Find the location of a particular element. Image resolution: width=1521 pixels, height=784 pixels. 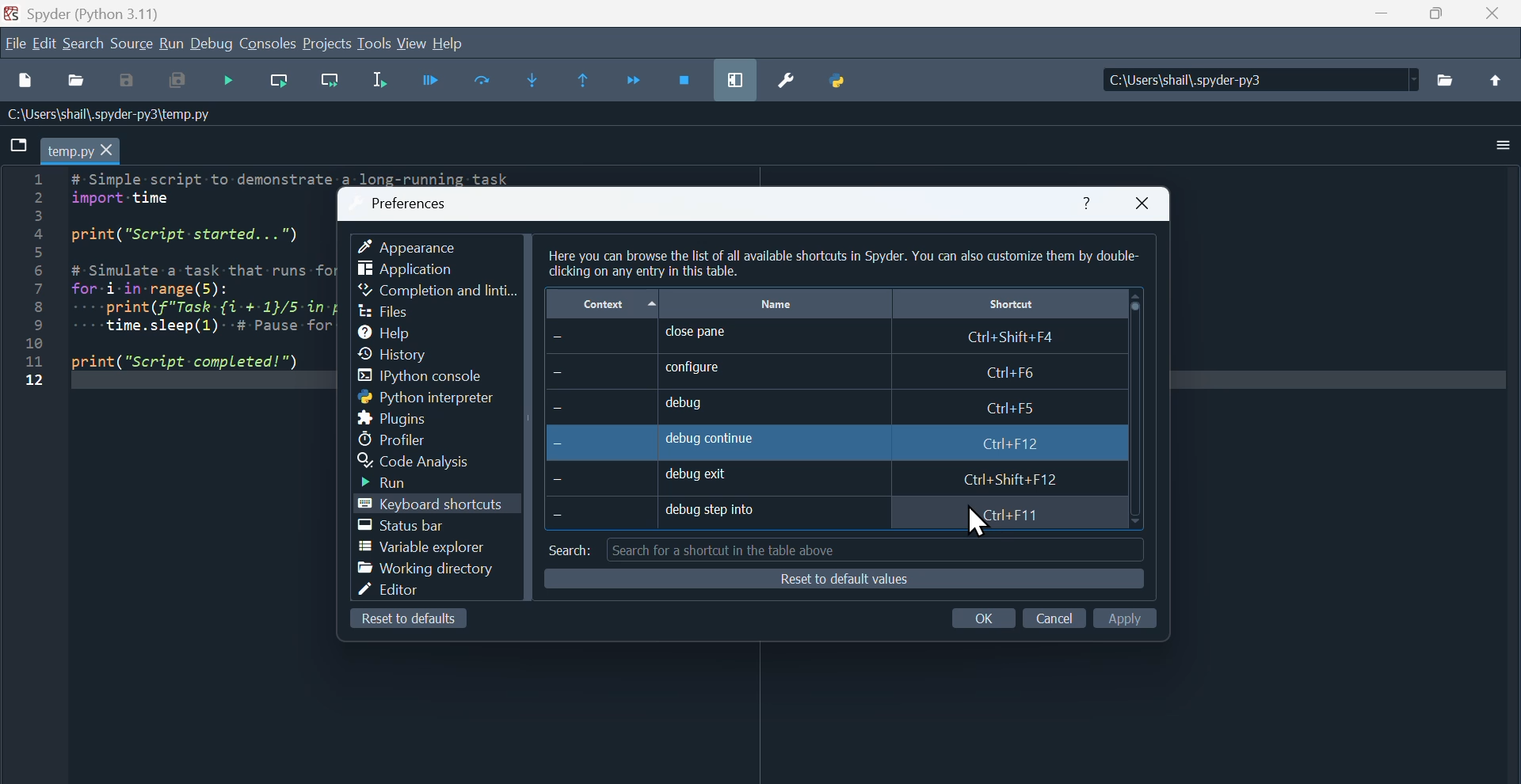

Status bar is located at coordinates (410, 526).